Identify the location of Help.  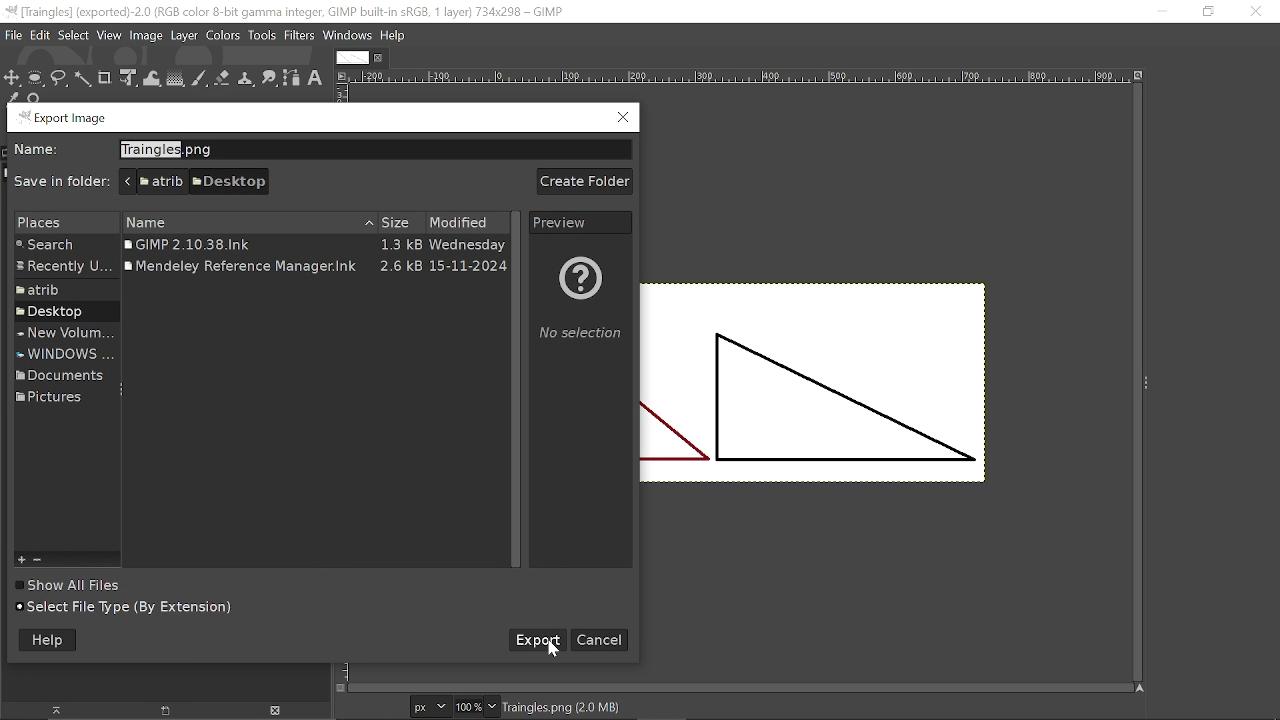
(47, 640).